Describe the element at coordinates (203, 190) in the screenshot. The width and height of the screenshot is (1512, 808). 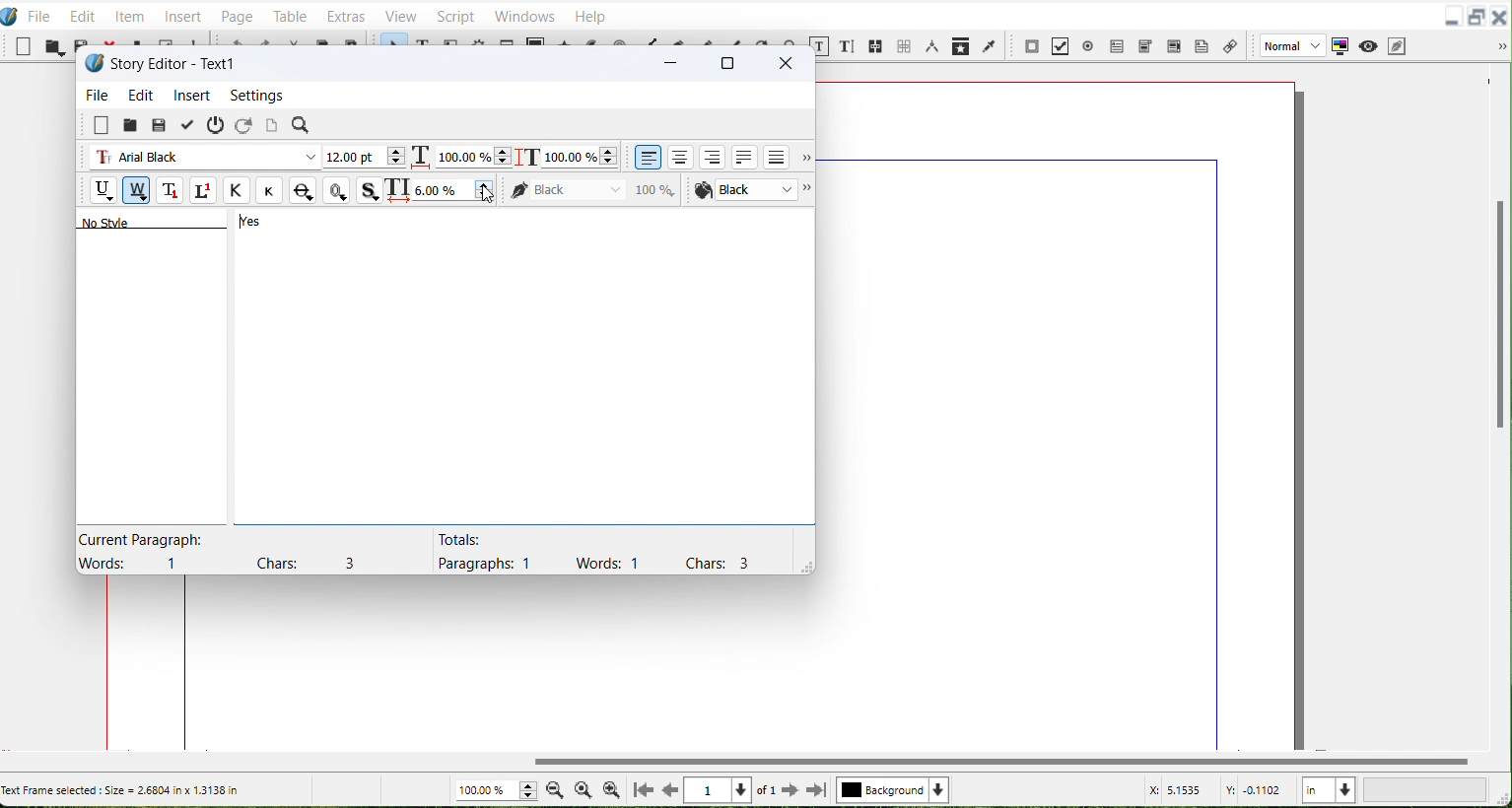
I see `Superscript` at that location.